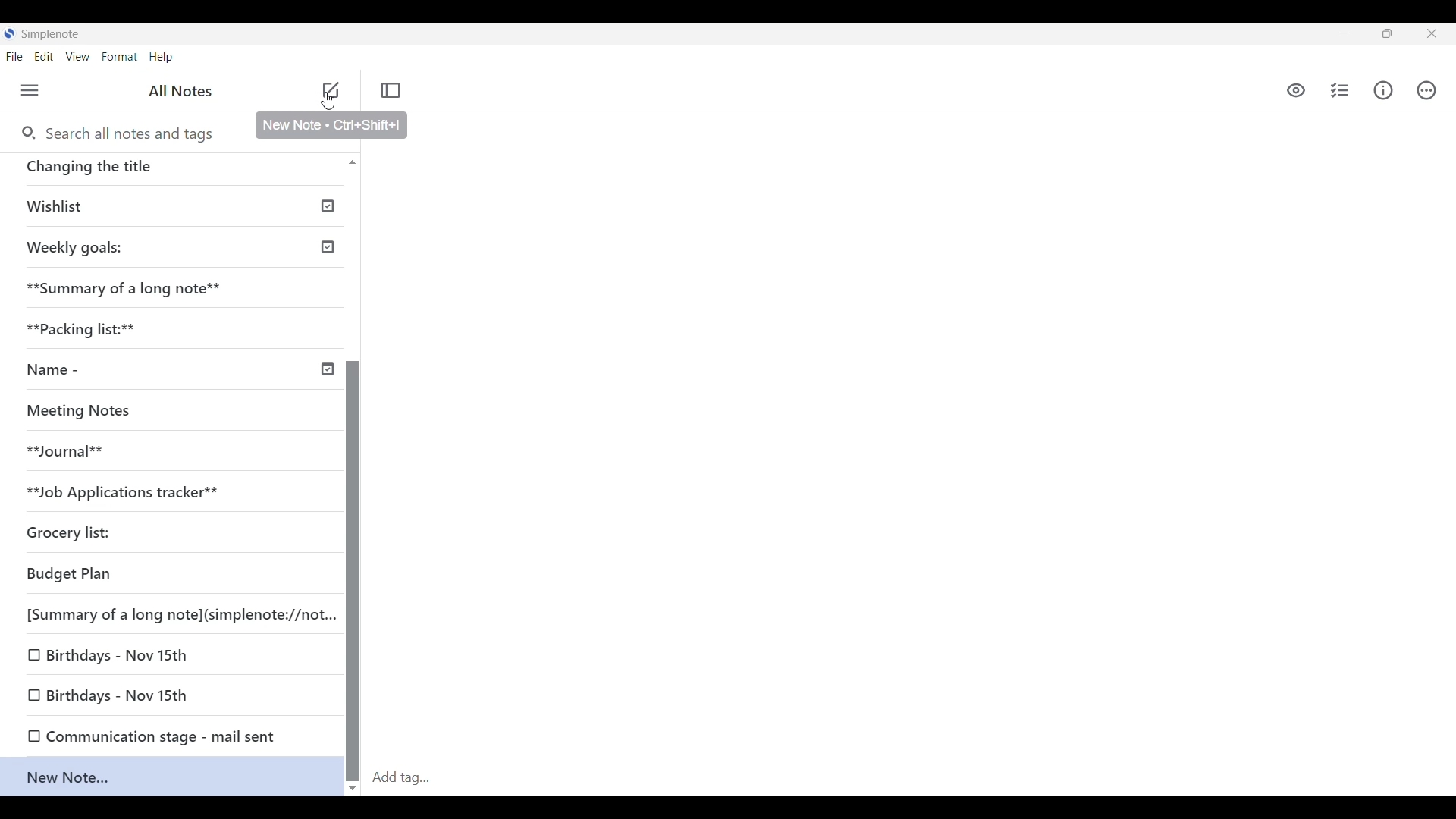  Describe the element at coordinates (1343, 33) in the screenshot. I see `Minimize` at that location.